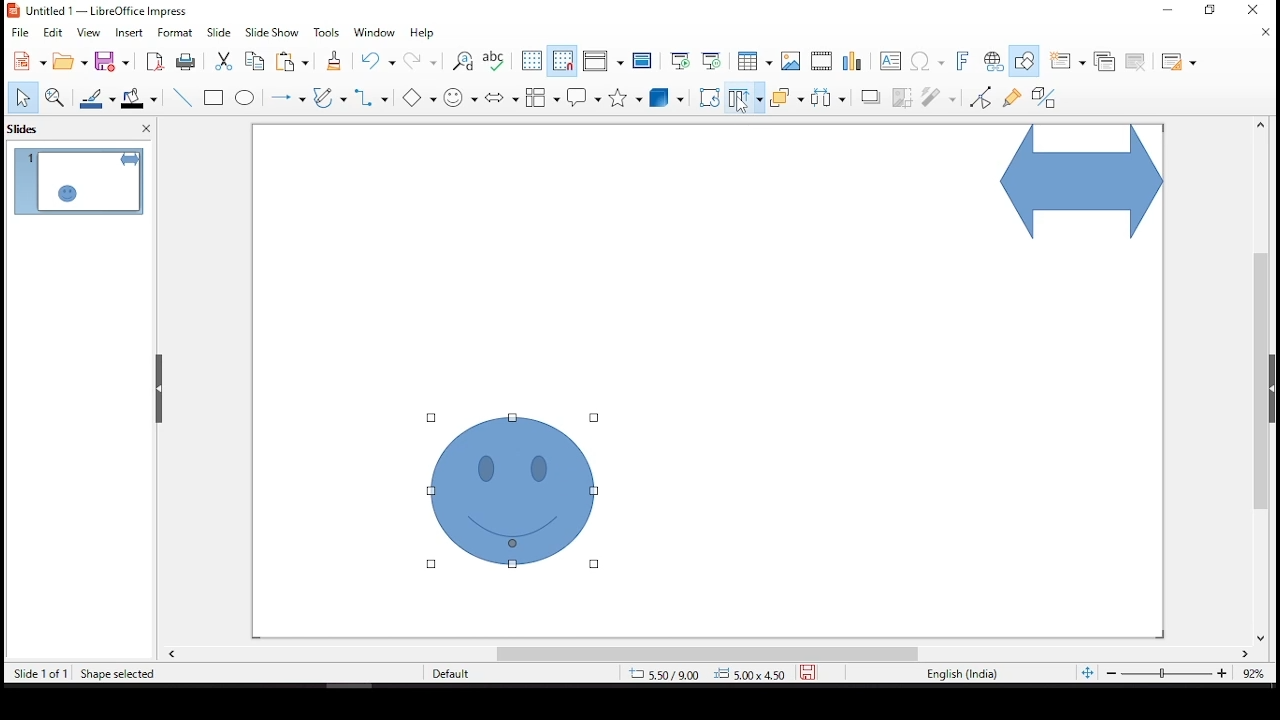  What do you see at coordinates (422, 65) in the screenshot?
I see `redo` at bounding box center [422, 65].